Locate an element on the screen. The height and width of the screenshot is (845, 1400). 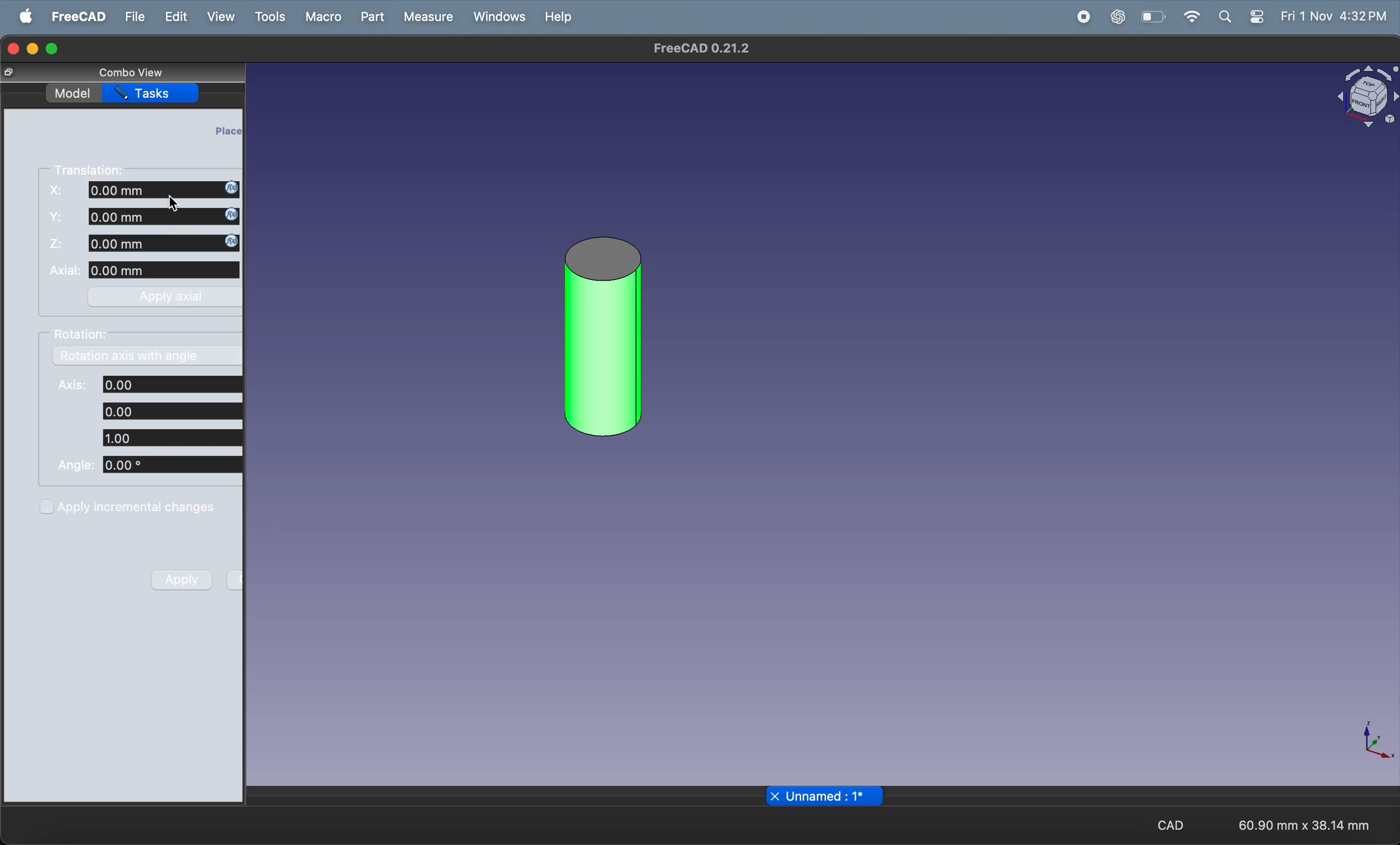
windows is located at coordinates (495, 18).